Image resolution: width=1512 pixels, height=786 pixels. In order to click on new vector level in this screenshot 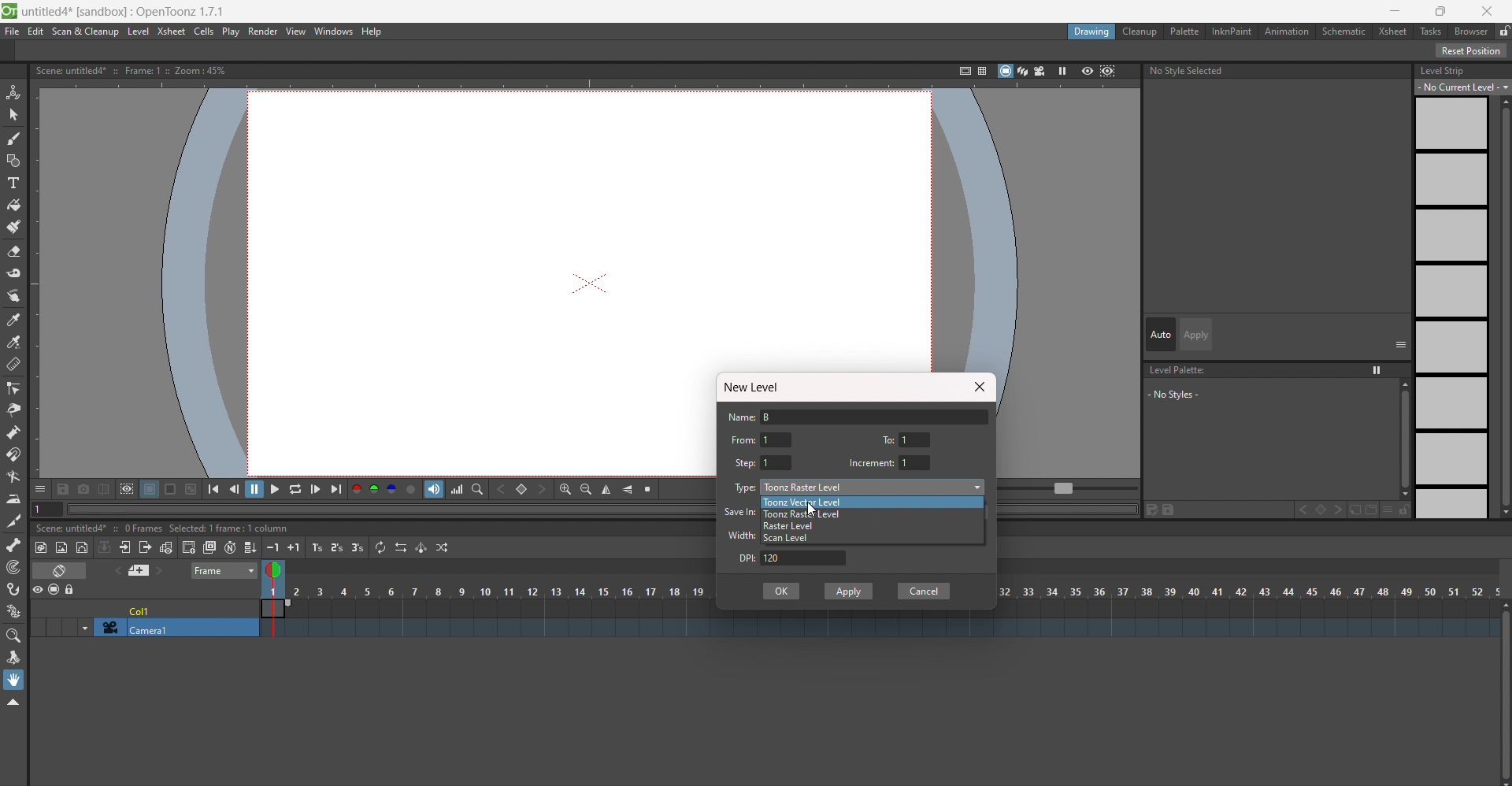, I will do `click(83, 547)`.